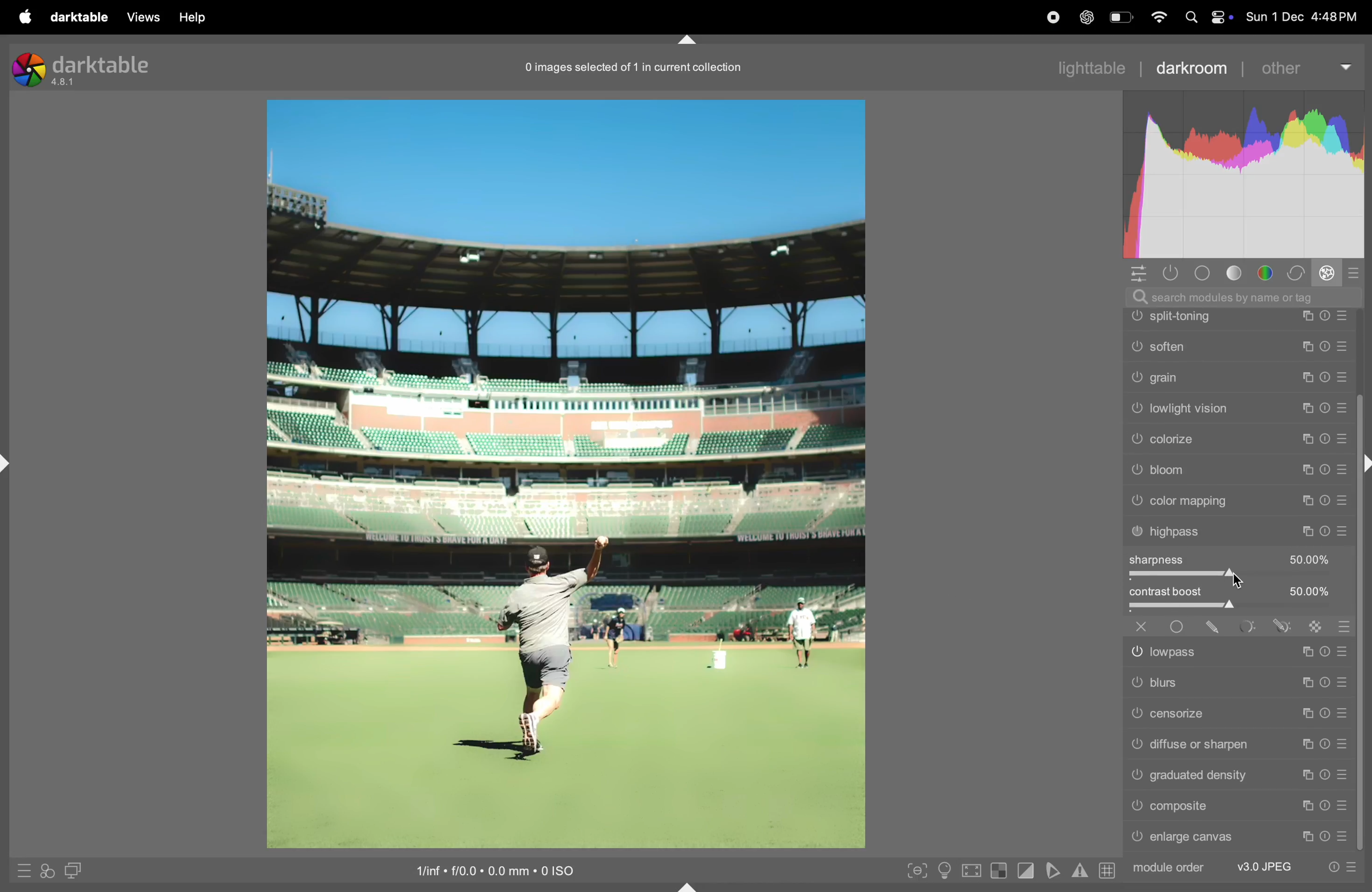 Image resolution: width=1372 pixels, height=892 pixels. I want to click on views, so click(142, 17).